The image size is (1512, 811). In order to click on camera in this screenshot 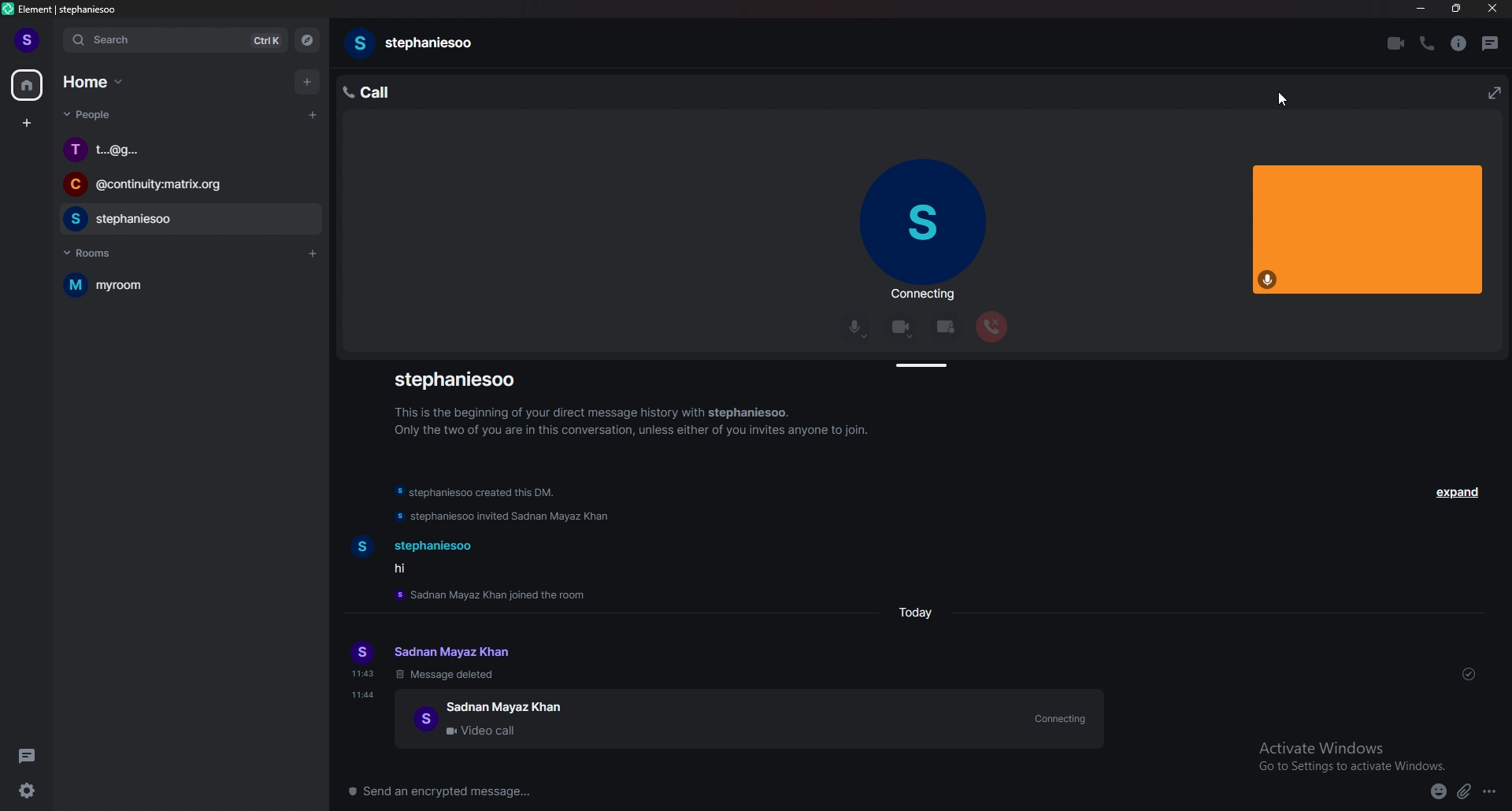, I will do `click(902, 328)`.